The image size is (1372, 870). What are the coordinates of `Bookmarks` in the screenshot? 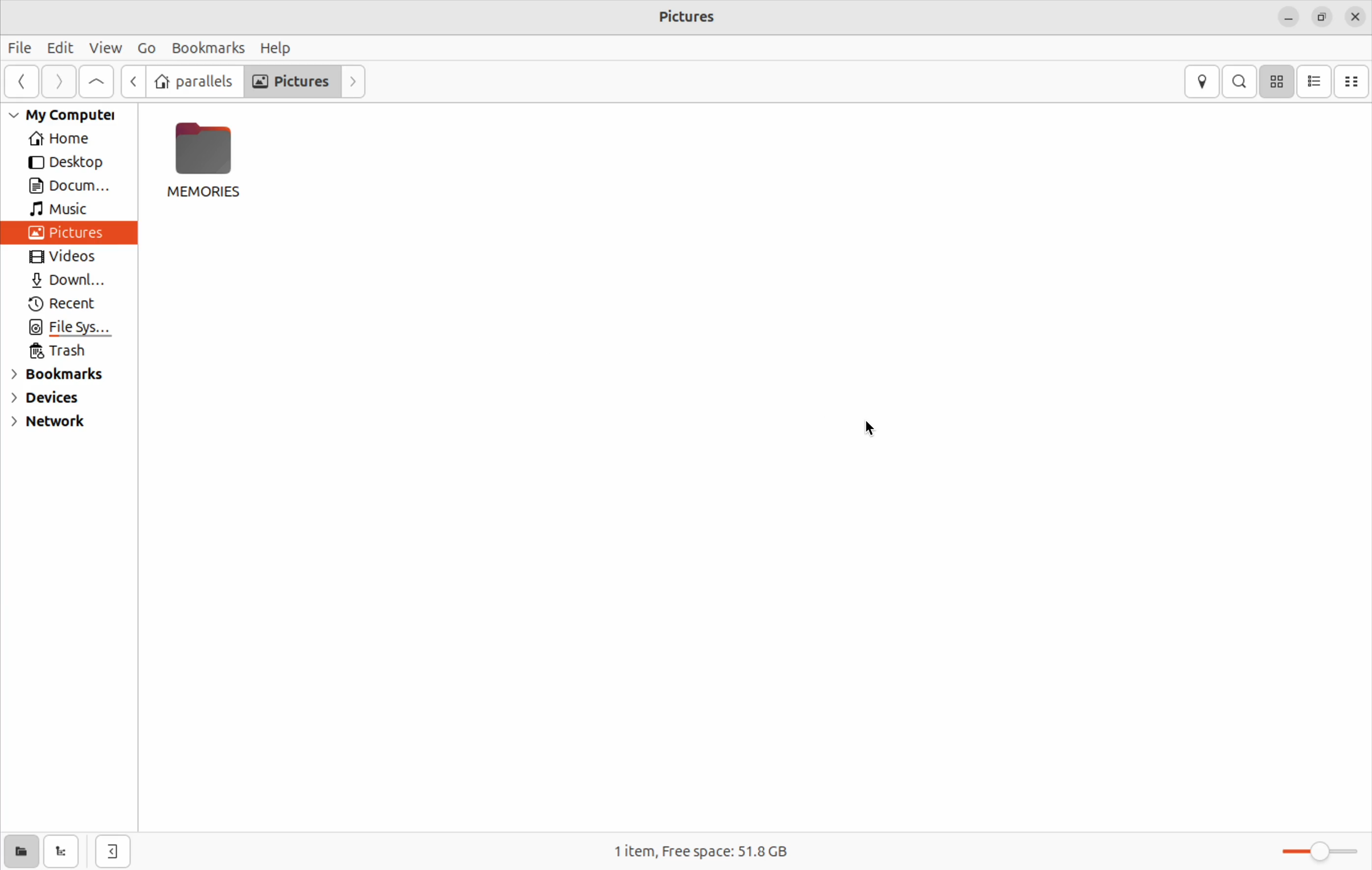 It's located at (210, 47).